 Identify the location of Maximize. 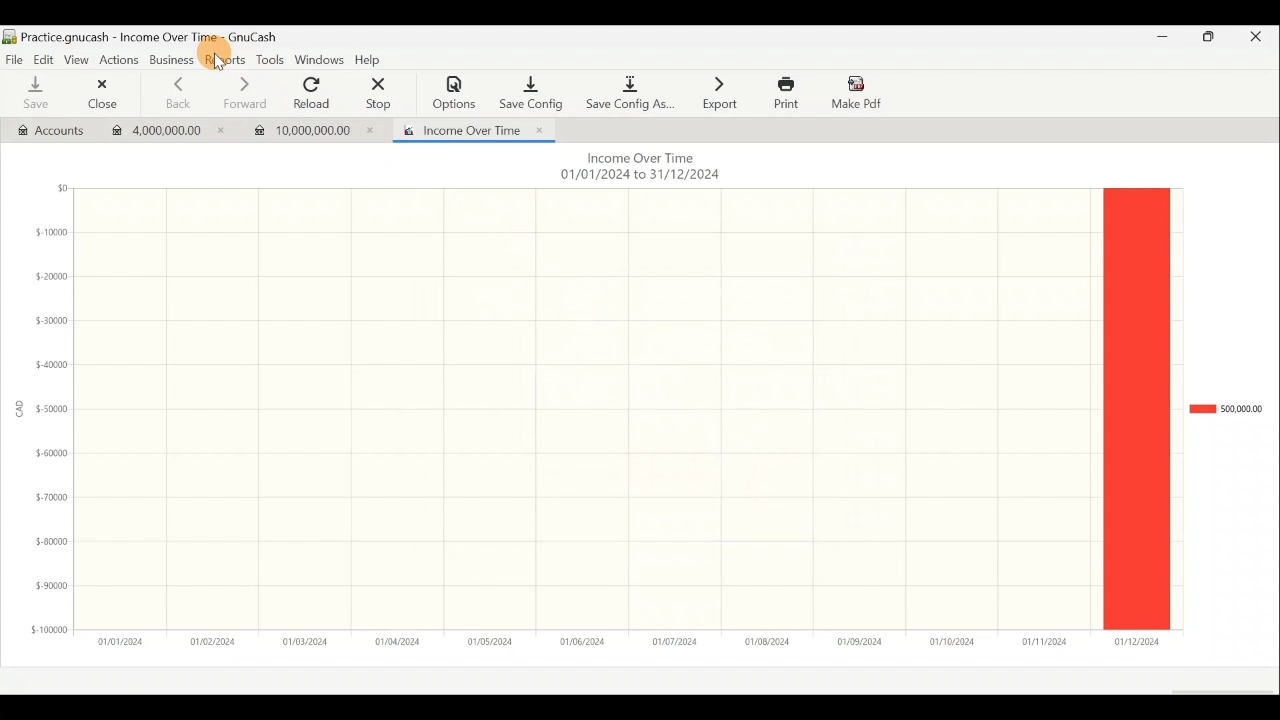
(1210, 40).